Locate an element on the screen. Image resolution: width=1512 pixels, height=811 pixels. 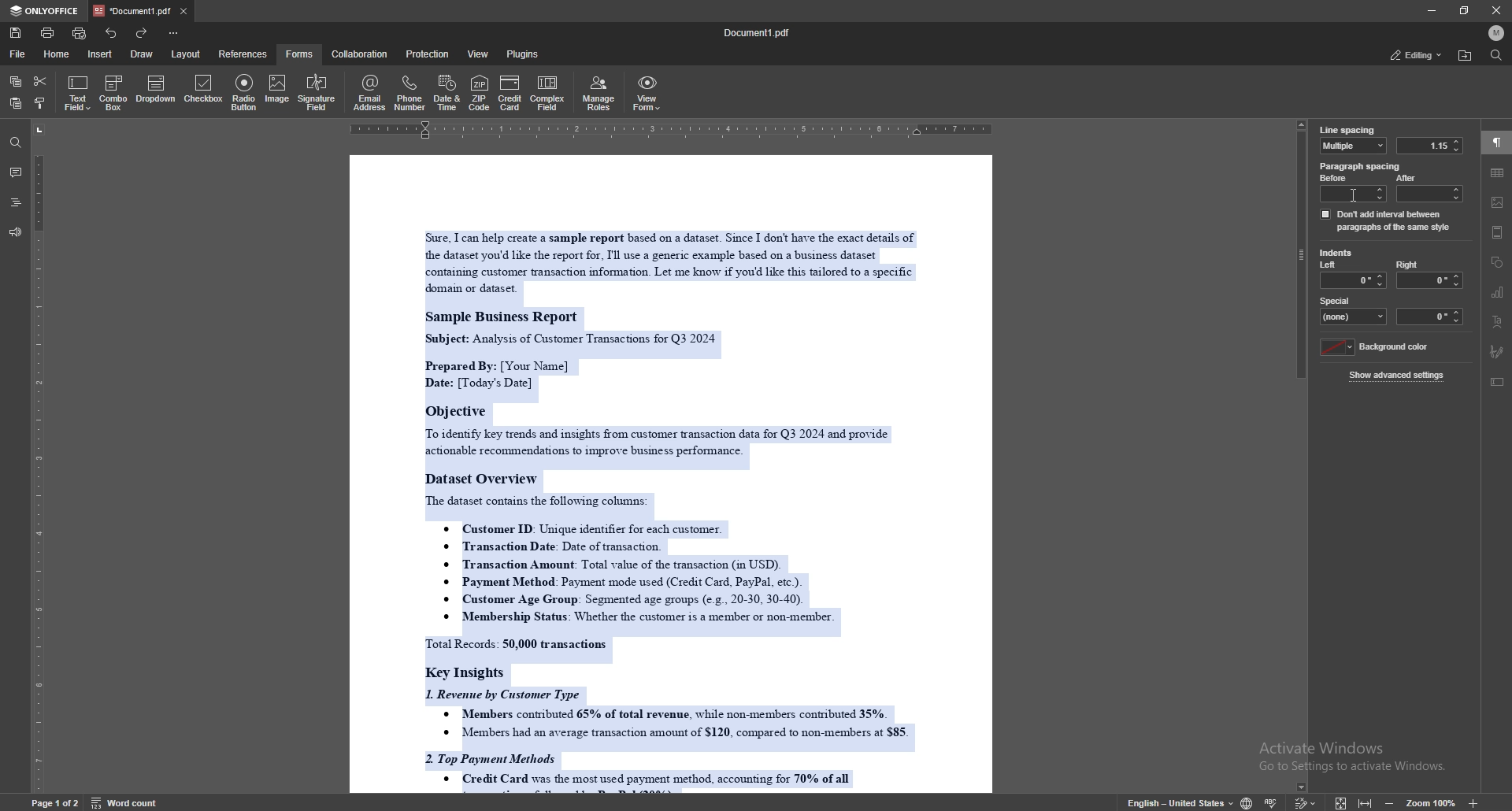
before is located at coordinates (1354, 188).